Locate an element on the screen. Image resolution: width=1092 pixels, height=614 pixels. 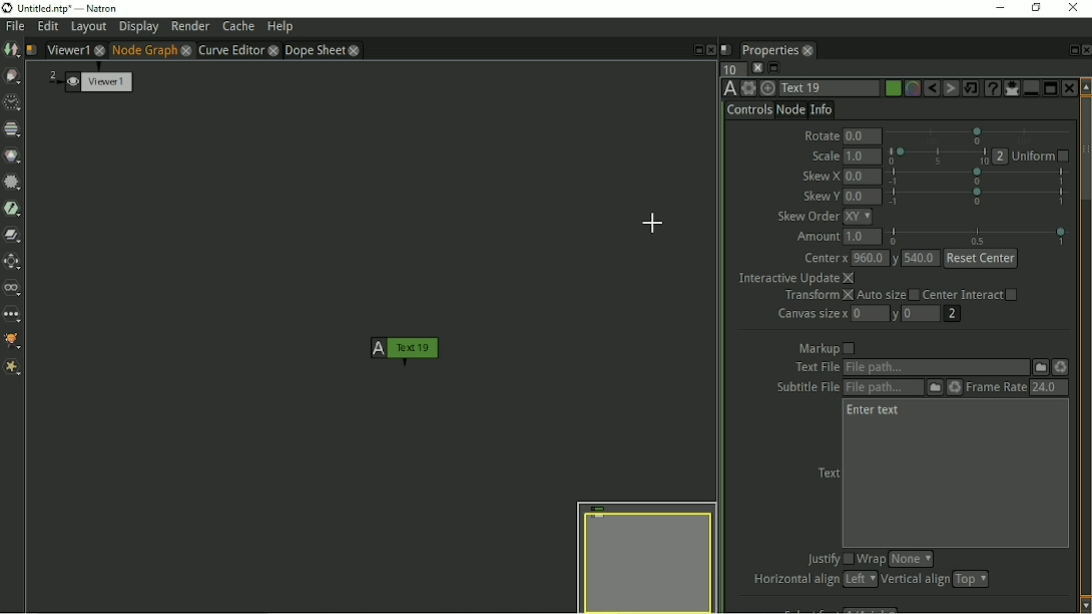
2 is located at coordinates (953, 315).